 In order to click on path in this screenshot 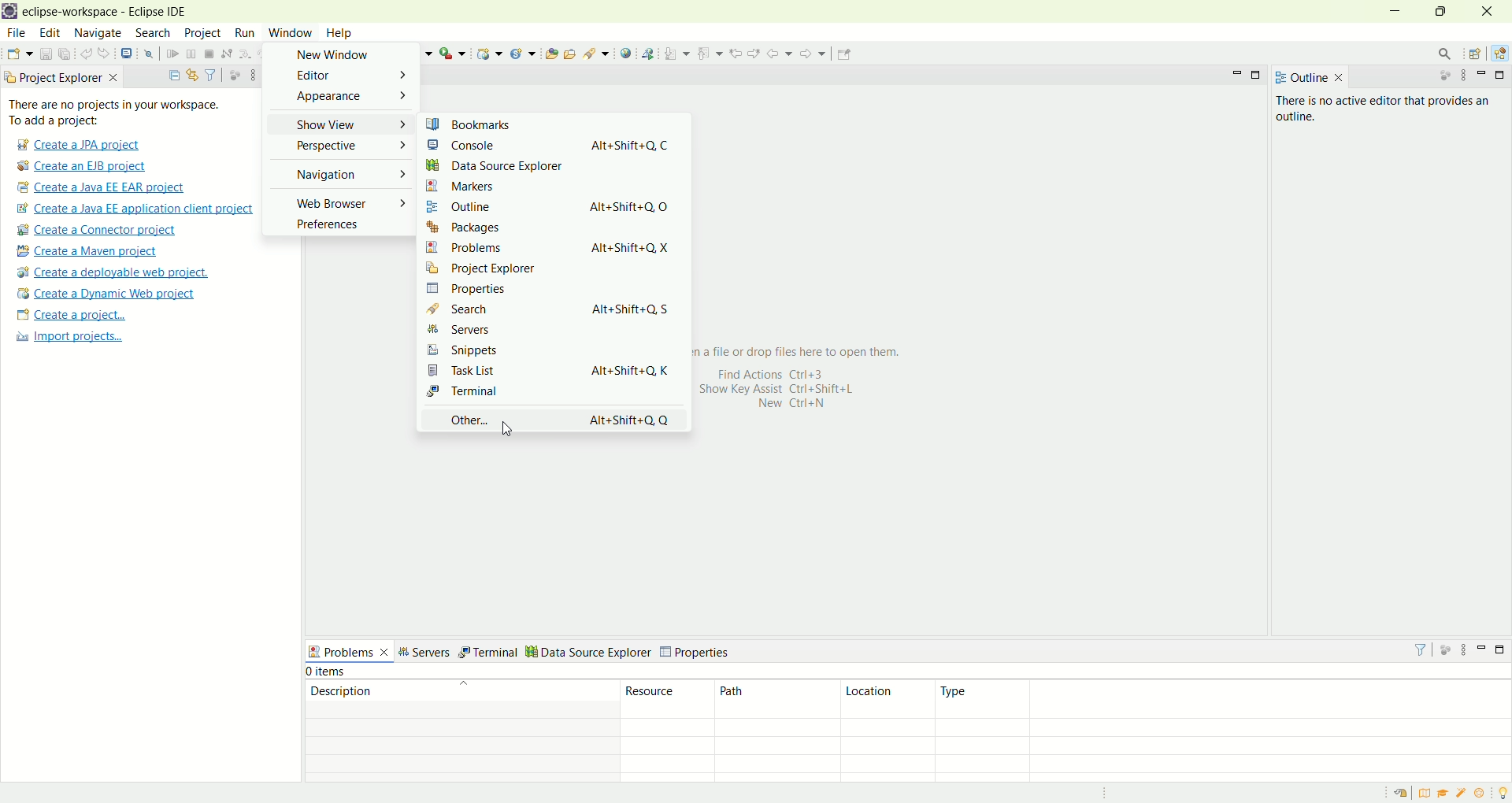, I will do `click(777, 698)`.